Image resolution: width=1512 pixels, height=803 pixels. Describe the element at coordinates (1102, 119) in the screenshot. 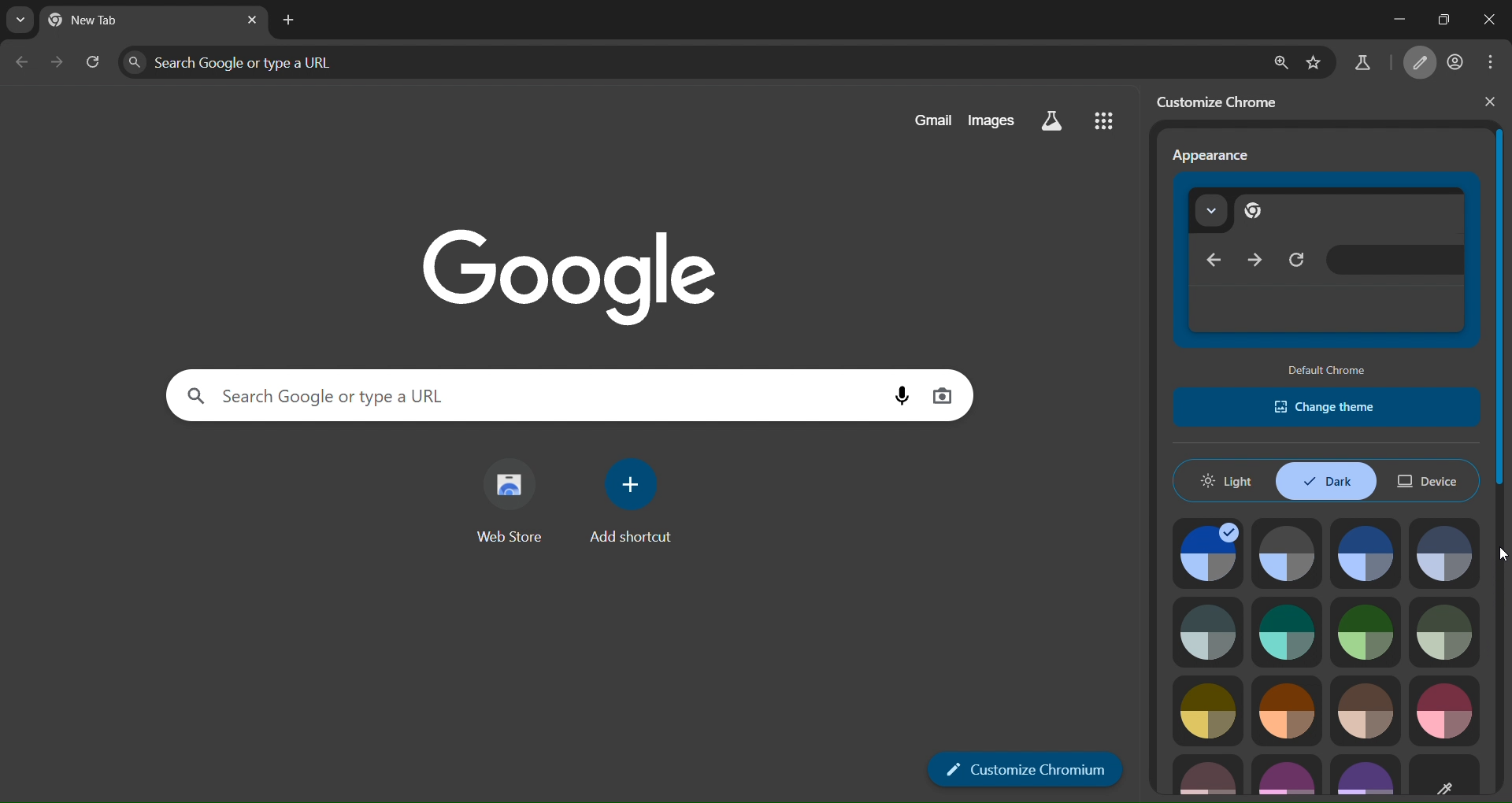

I see `google apps` at that location.